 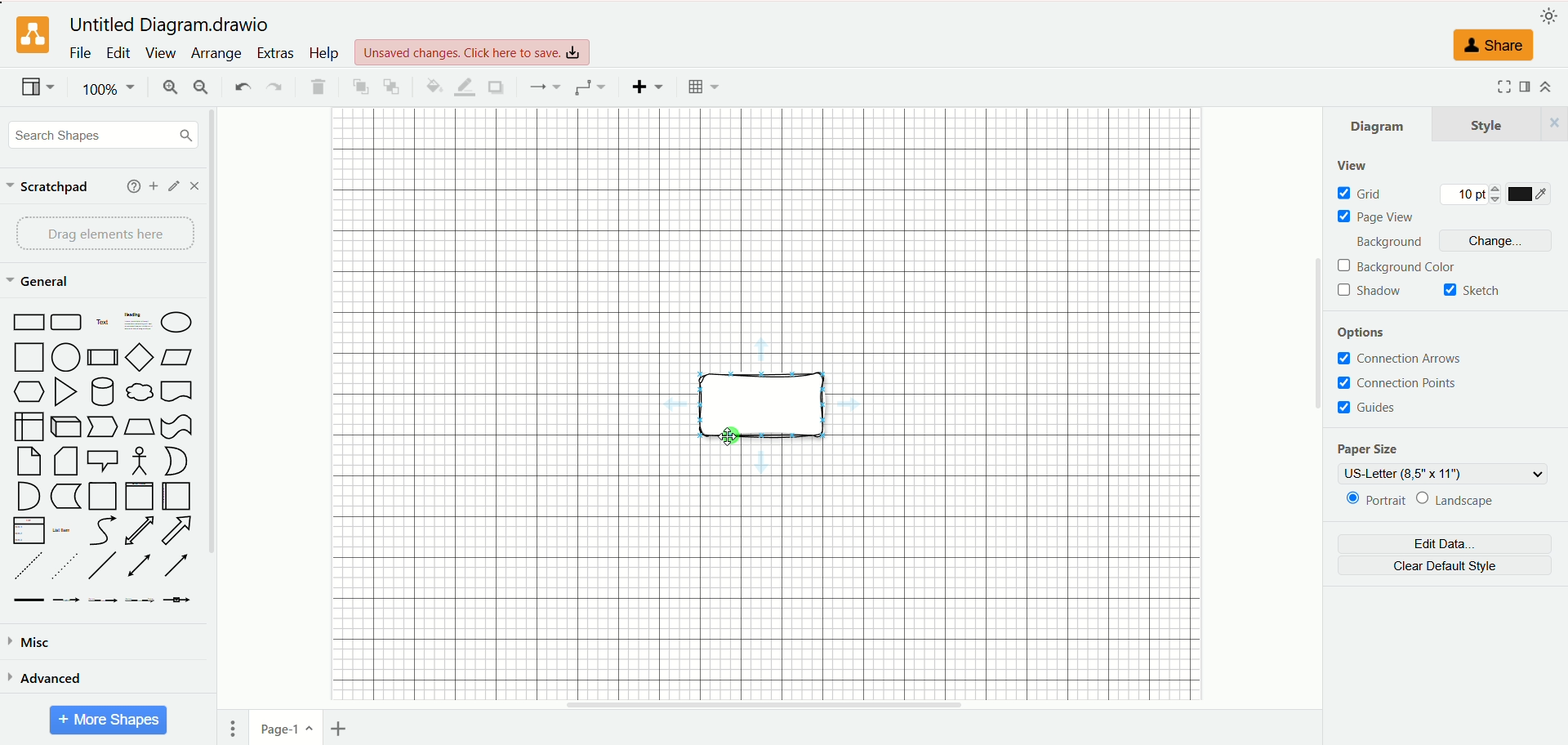 What do you see at coordinates (1365, 332) in the screenshot?
I see `options` at bounding box center [1365, 332].